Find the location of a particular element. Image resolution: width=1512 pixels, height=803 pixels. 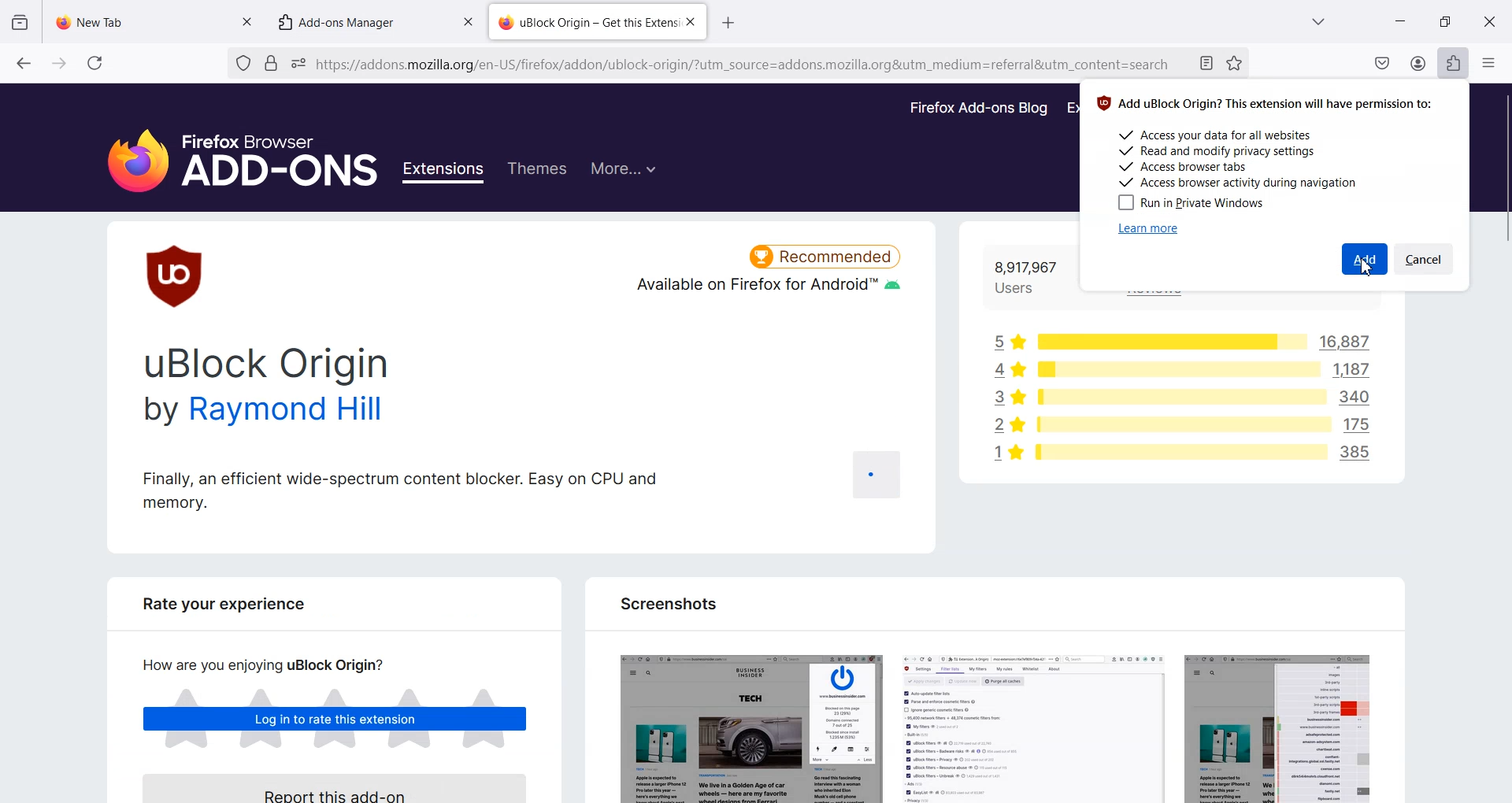

Extensions  is located at coordinates (446, 172).